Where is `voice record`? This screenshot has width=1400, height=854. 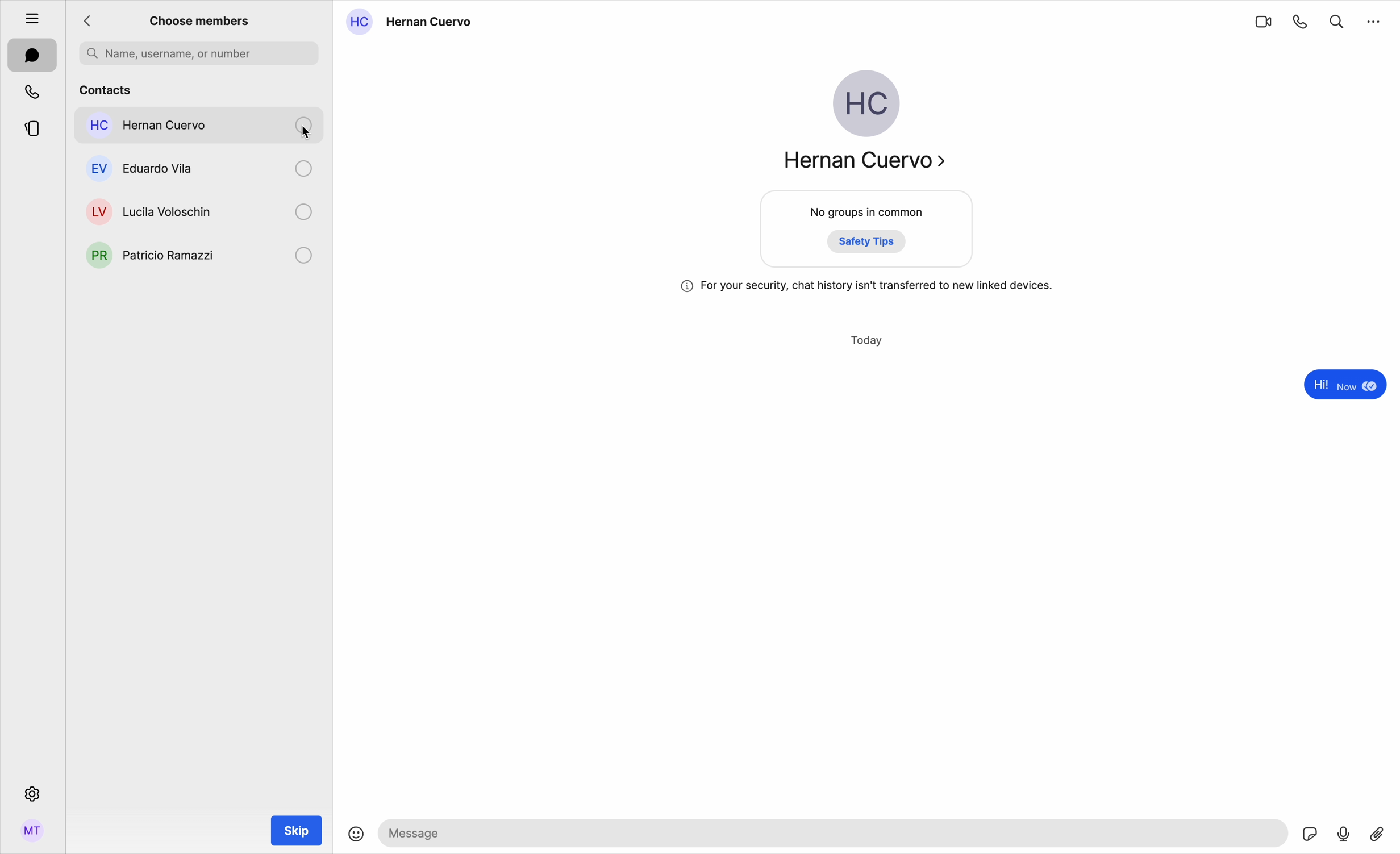
voice record is located at coordinates (1344, 832).